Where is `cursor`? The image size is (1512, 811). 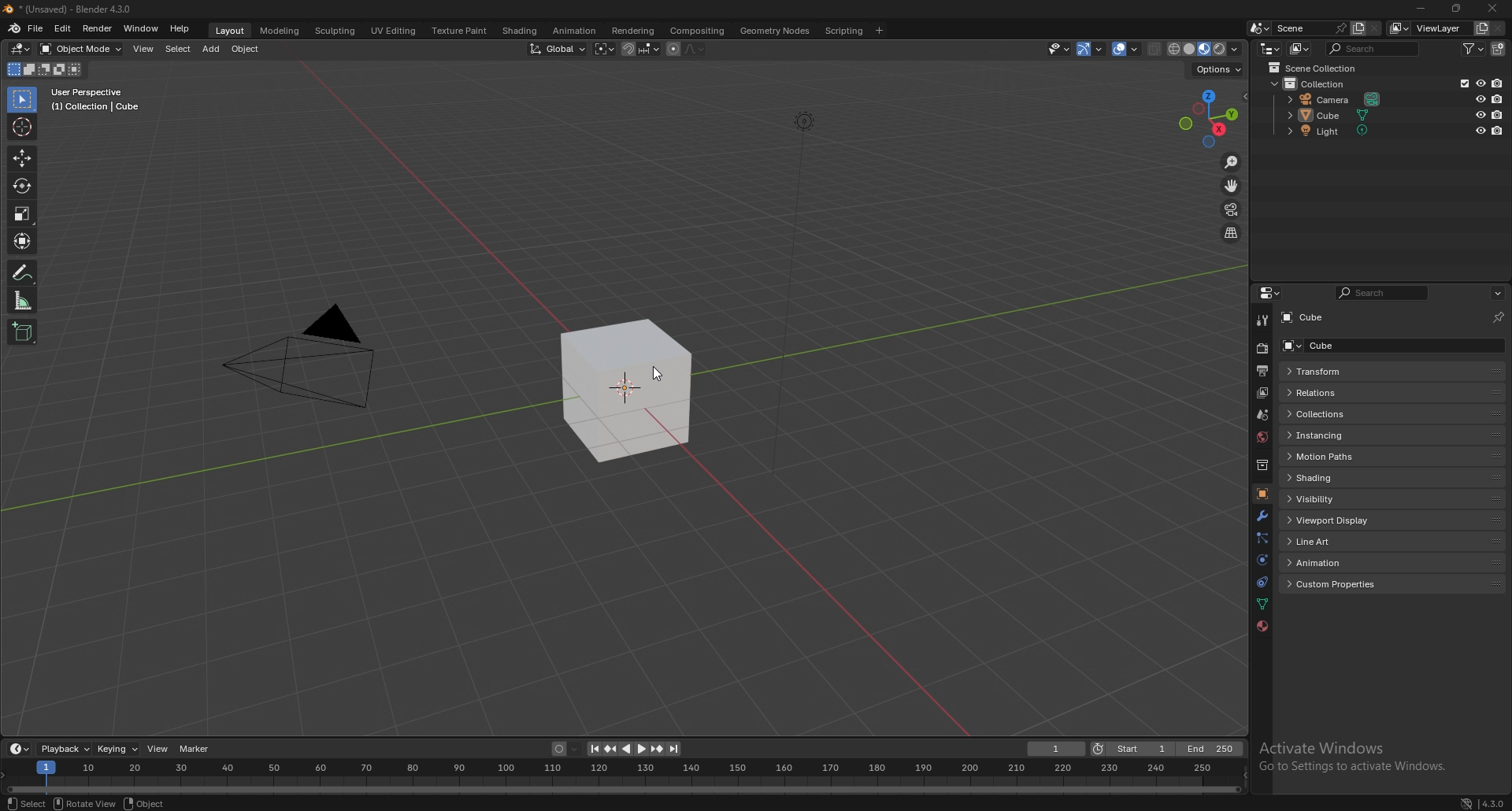 cursor is located at coordinates (22, 126).